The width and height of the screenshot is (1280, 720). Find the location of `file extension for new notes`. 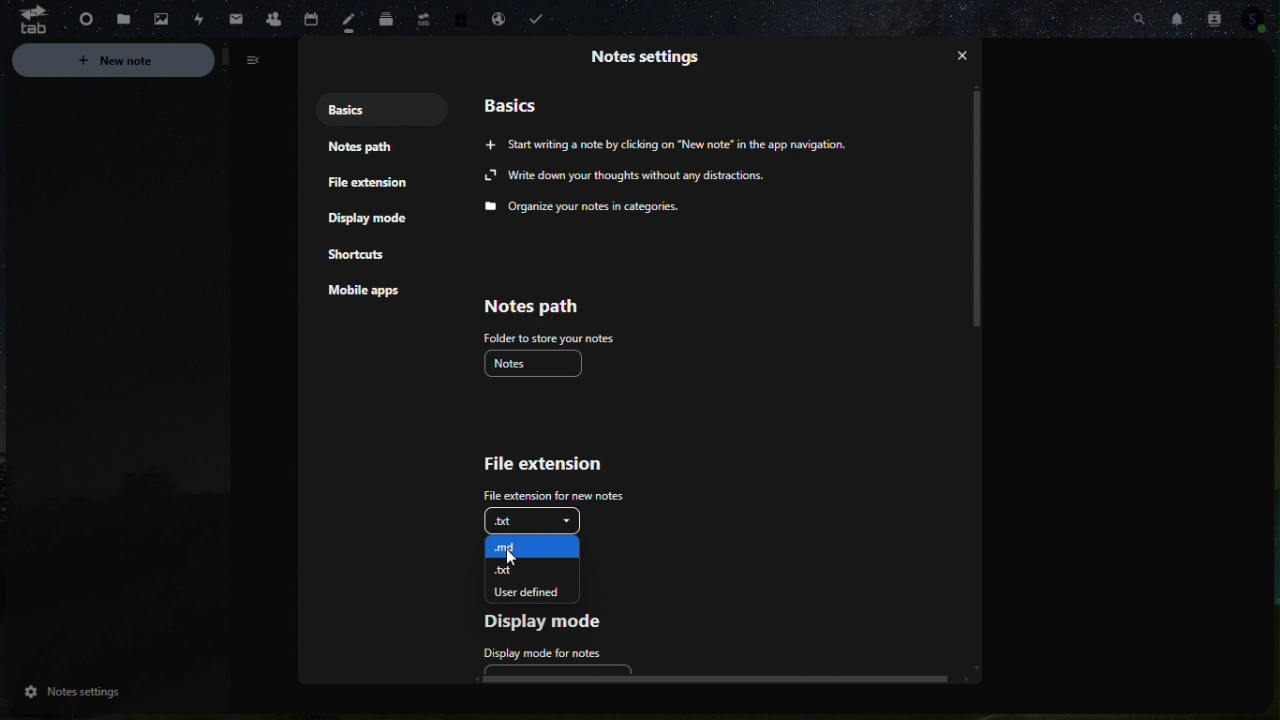

file extension for new notes is located at coordinates (551, 494).